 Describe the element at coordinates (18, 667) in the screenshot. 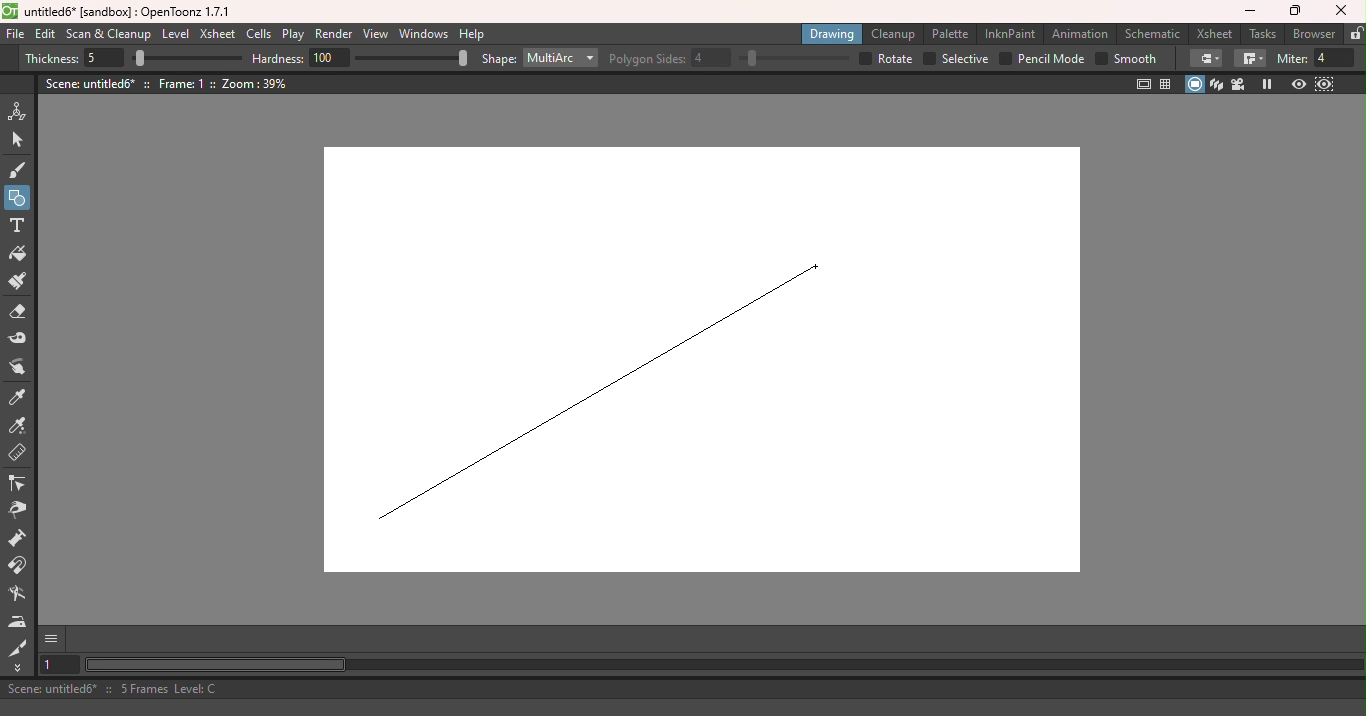

I see `More tools` at that location.